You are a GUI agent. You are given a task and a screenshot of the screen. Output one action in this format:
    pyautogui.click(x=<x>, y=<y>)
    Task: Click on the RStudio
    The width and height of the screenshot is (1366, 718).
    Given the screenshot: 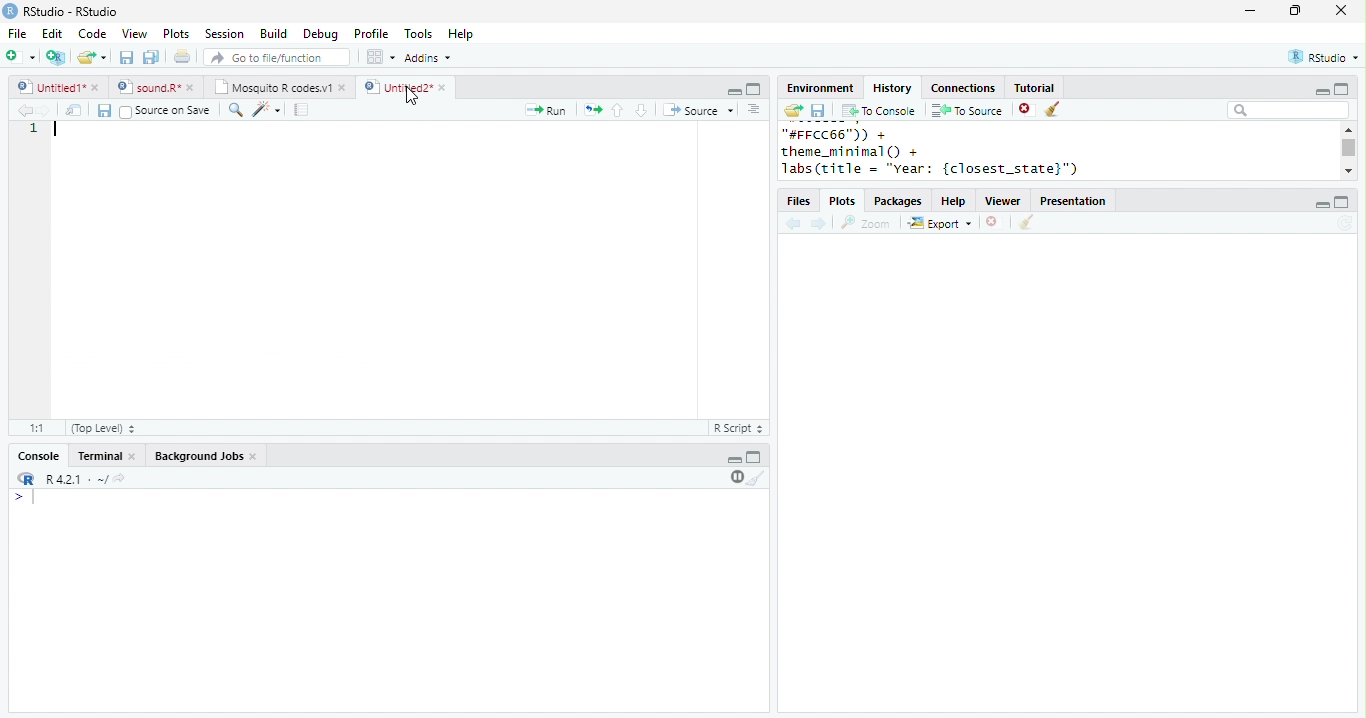 What is the action you would take?
    pyautogui.click(x=1326, y=56)
    